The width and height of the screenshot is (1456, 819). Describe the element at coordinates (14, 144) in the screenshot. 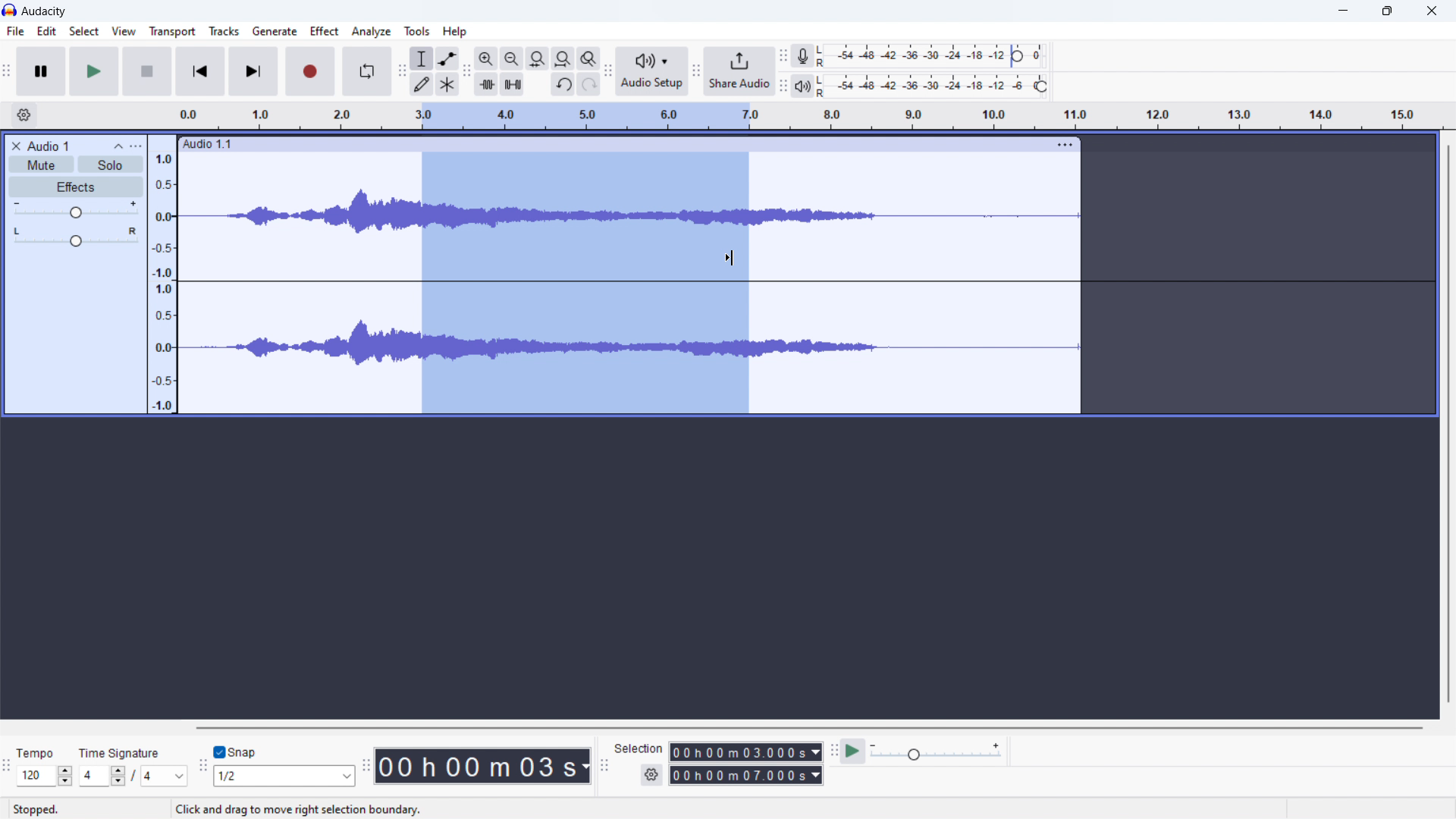

I see `close audio` at that location.